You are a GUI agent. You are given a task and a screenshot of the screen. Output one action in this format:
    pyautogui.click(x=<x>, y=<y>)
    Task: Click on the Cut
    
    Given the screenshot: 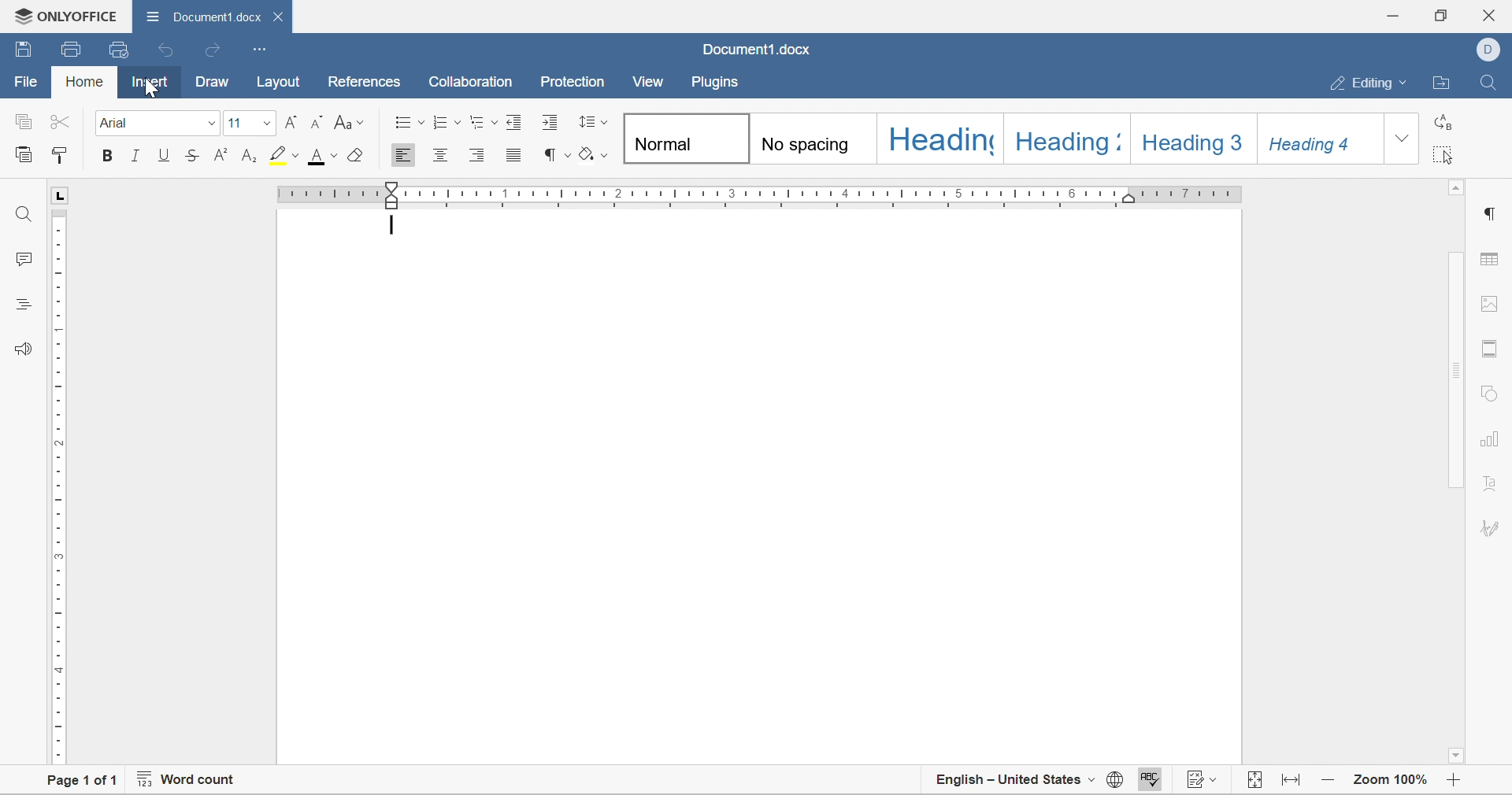 What is the action you would take?
    pyautogui.click(x=64, y=120)
    